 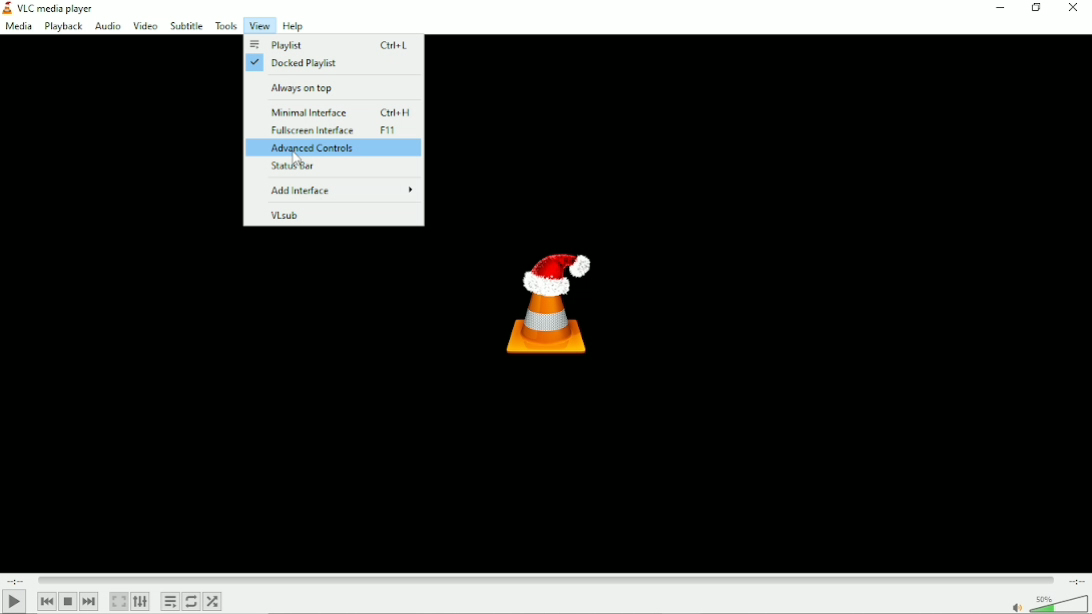 What do you see at coordinates (88, 601) in the screenshot?
I see `Next` at bounding box center [88, 601].